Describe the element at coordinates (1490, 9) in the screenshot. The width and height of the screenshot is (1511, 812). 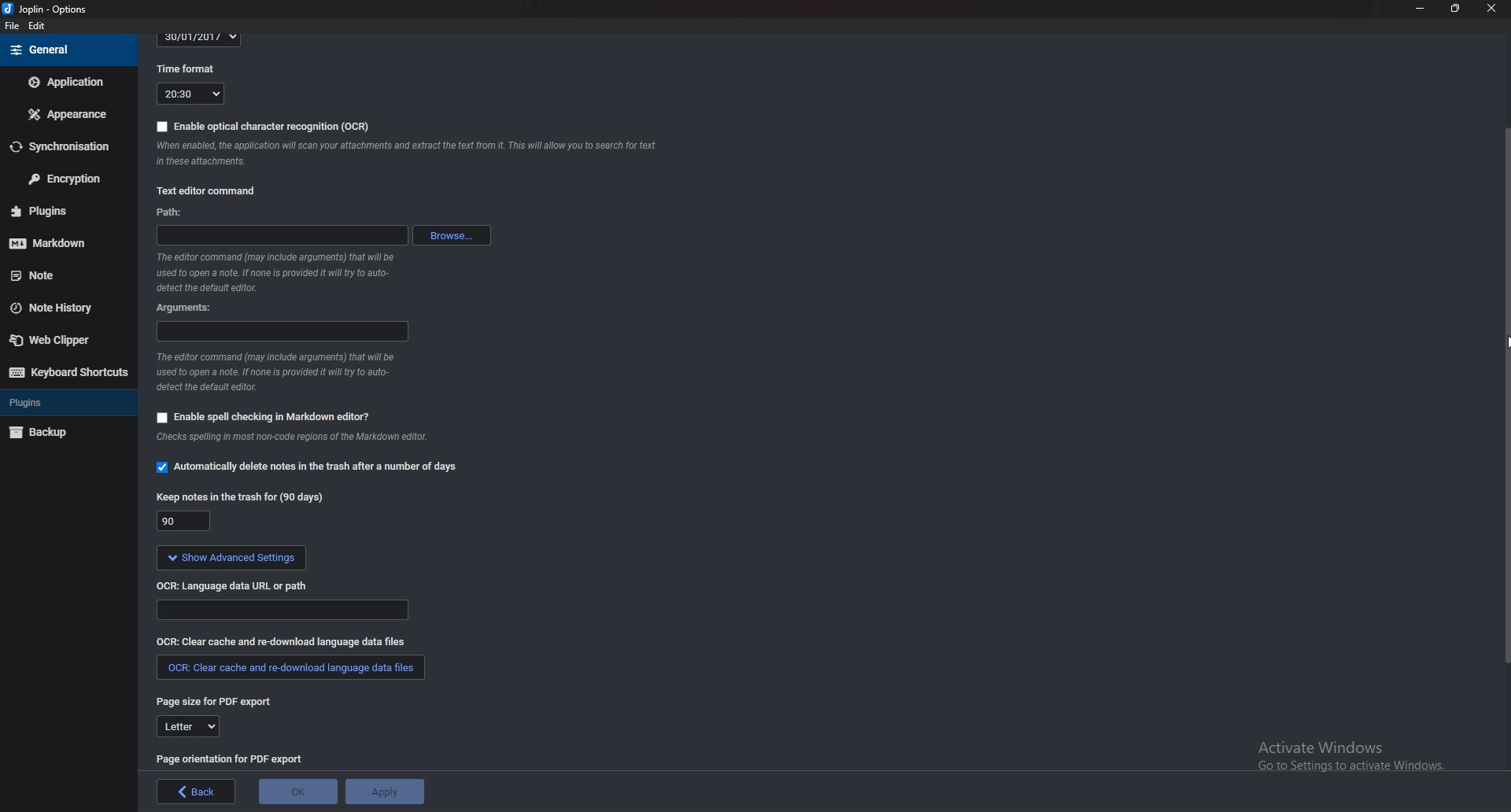
I see `close` at that location.